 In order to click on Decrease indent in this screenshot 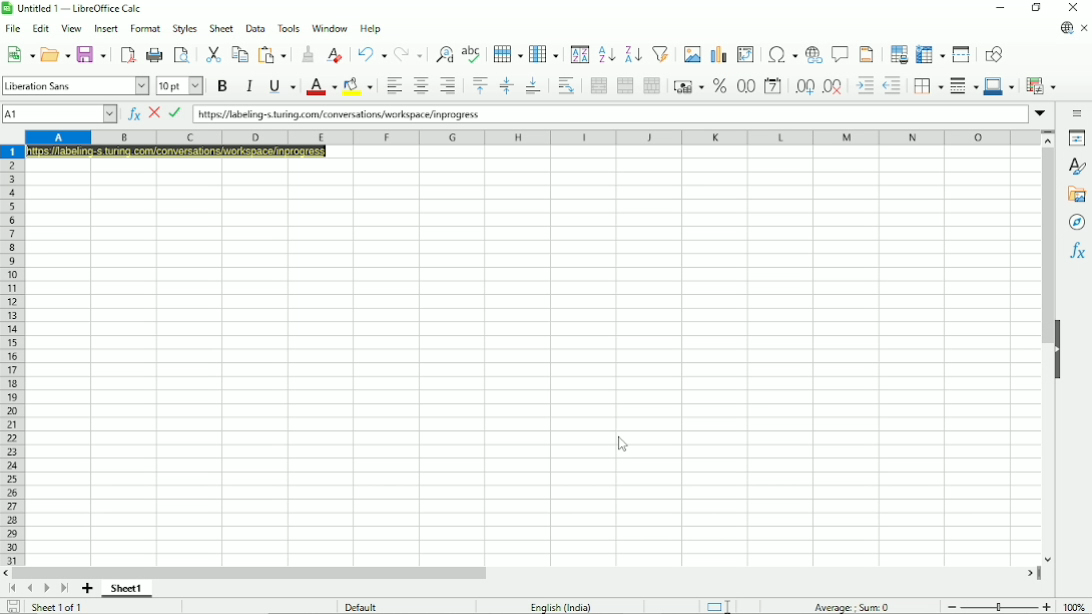, I will do `click(893, 85)`.